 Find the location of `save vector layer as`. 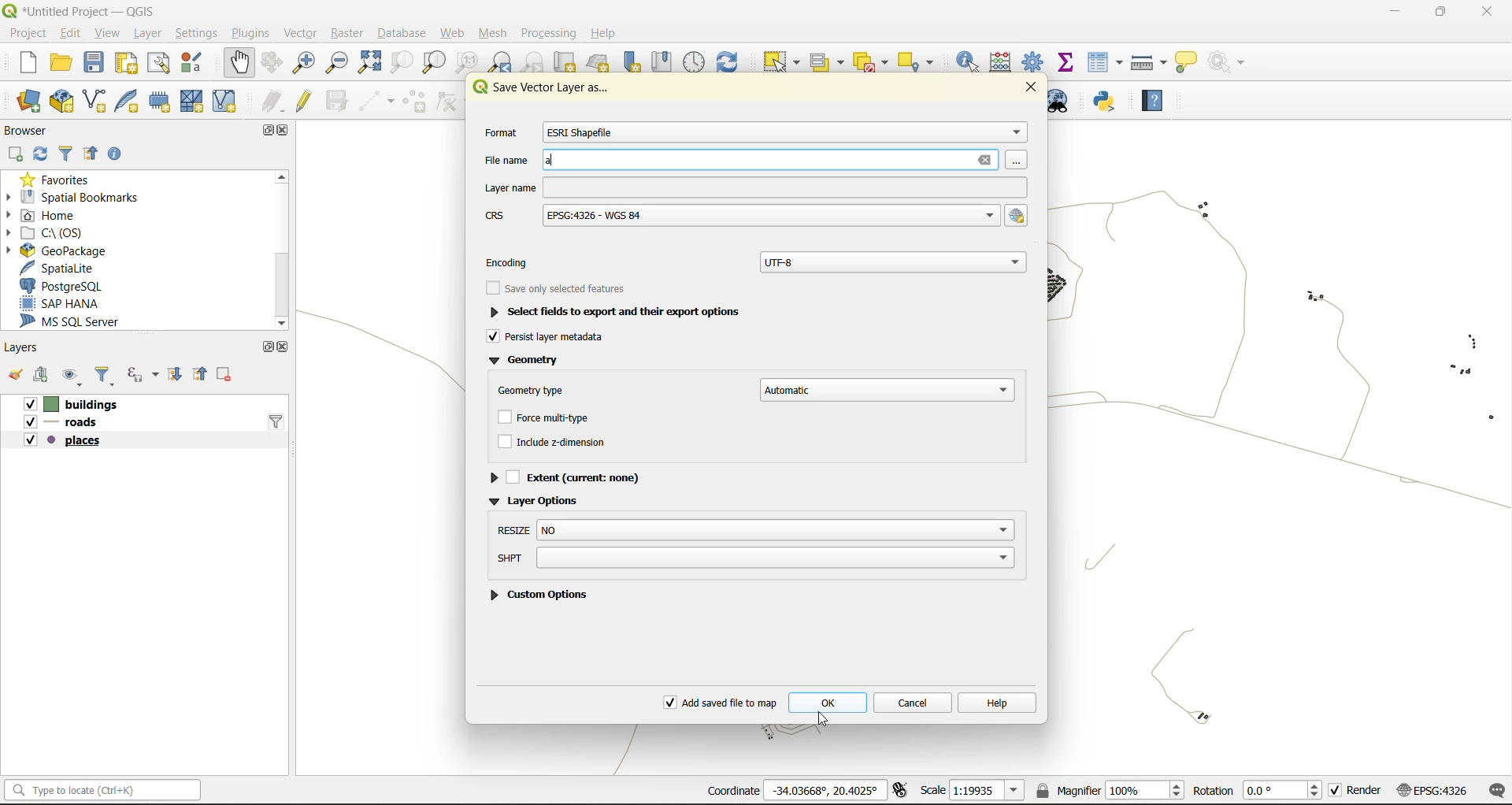

save vector layer as is located at coordinates (548, 91).